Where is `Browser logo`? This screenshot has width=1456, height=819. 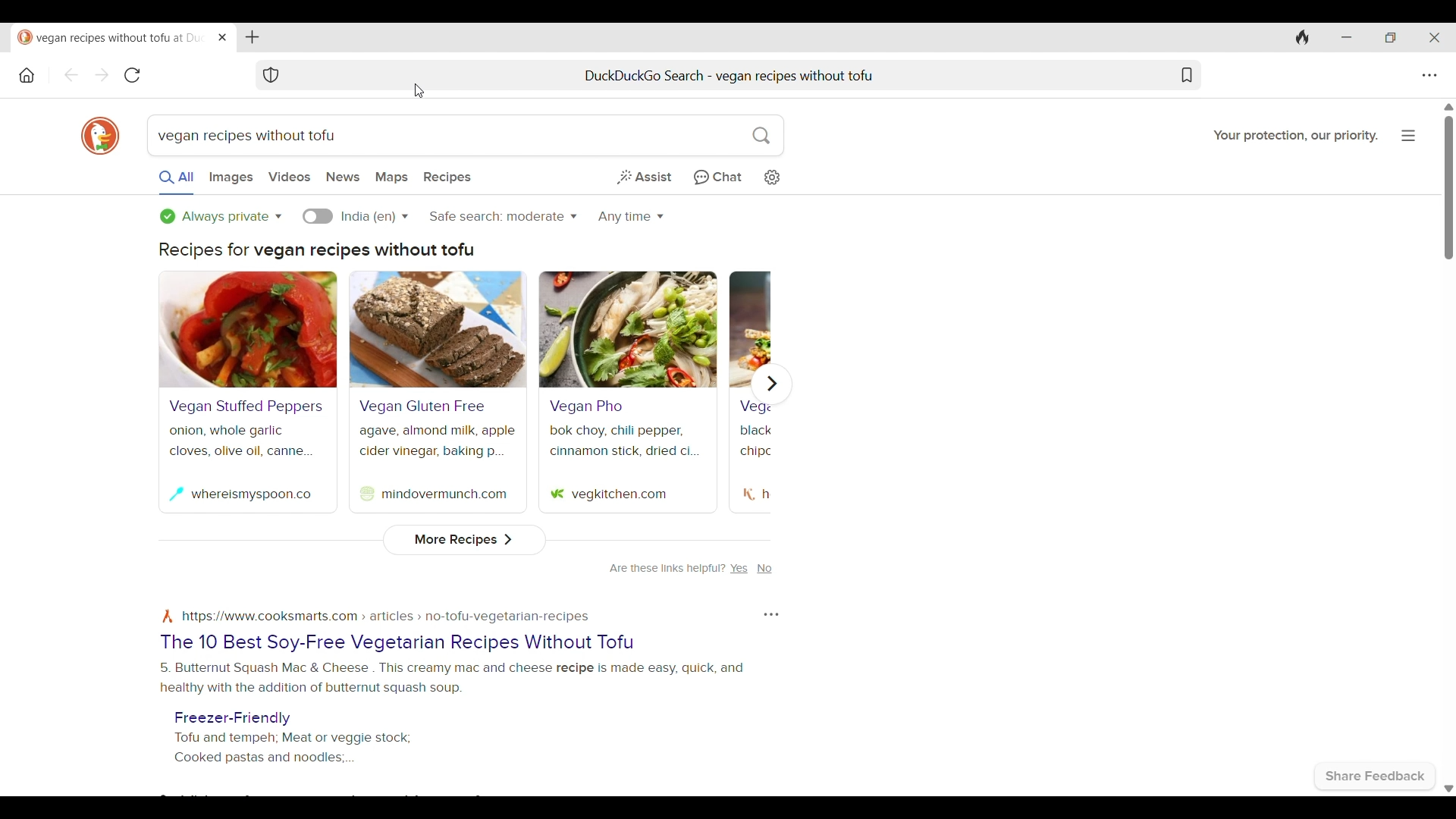 Browser logo is located at coordinates (100, 137).